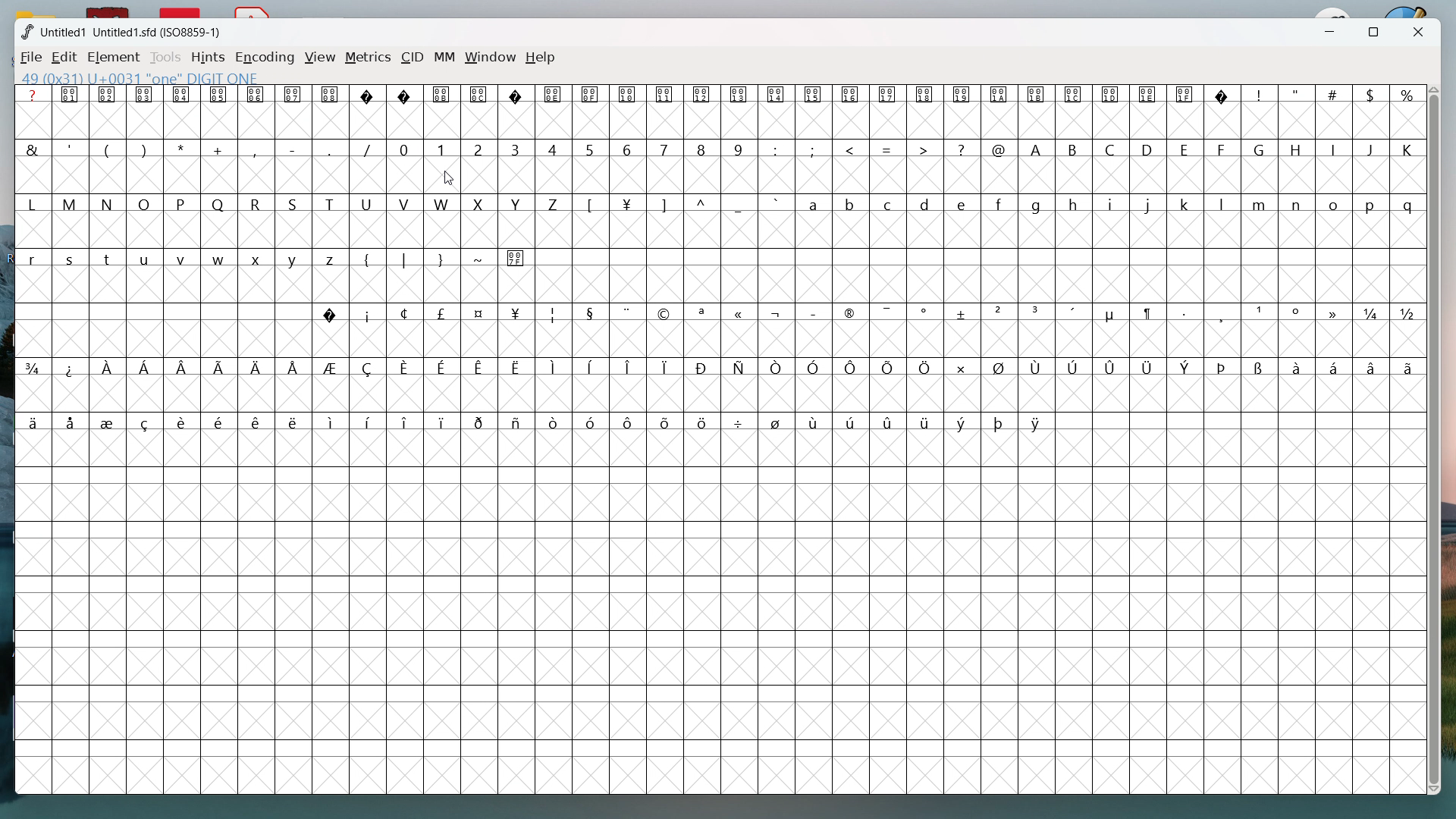 The image size is (1456, 819). I want to click on symbol, so click(371, 421).